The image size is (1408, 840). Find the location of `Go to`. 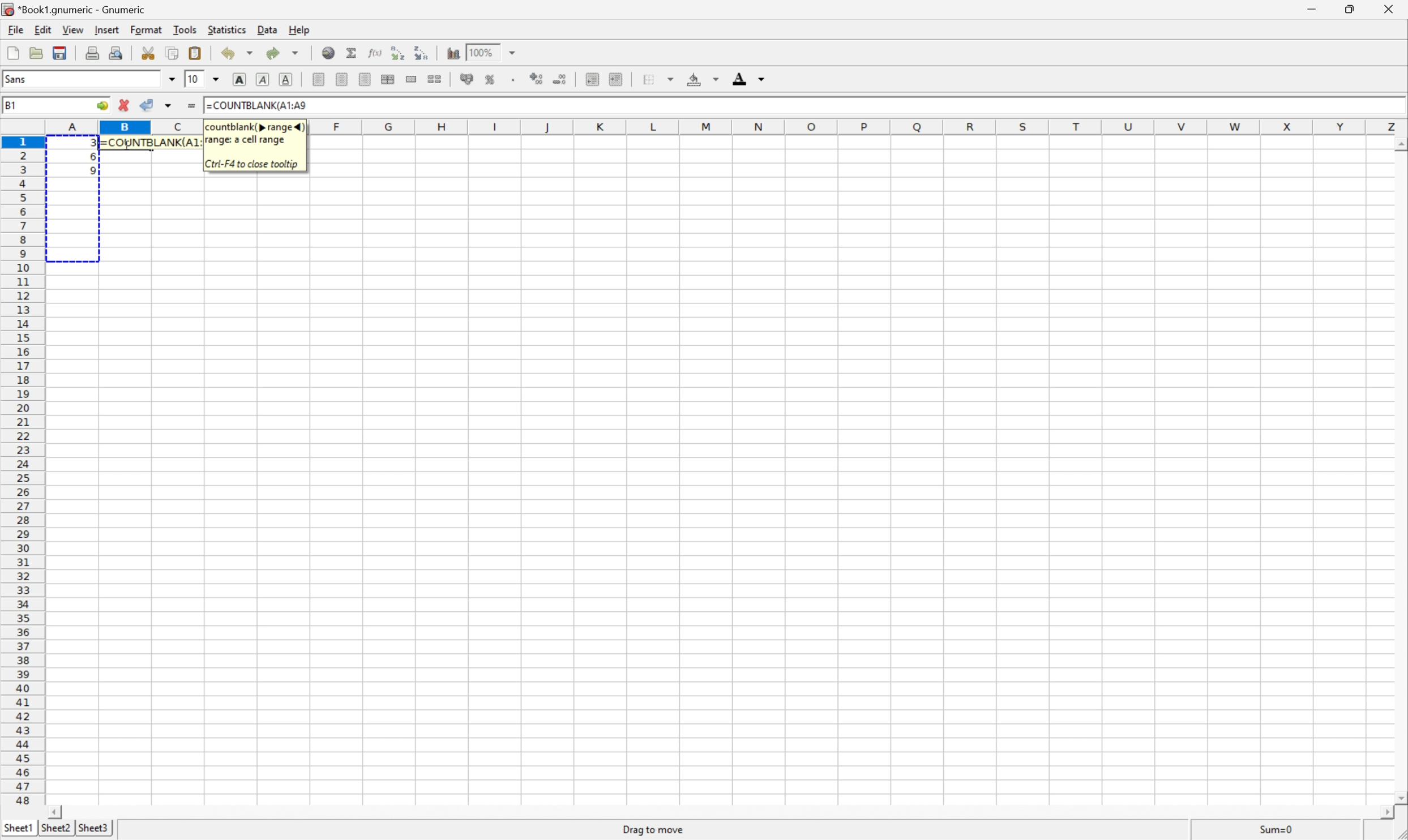

Go to is located at coordinates (102, 106).